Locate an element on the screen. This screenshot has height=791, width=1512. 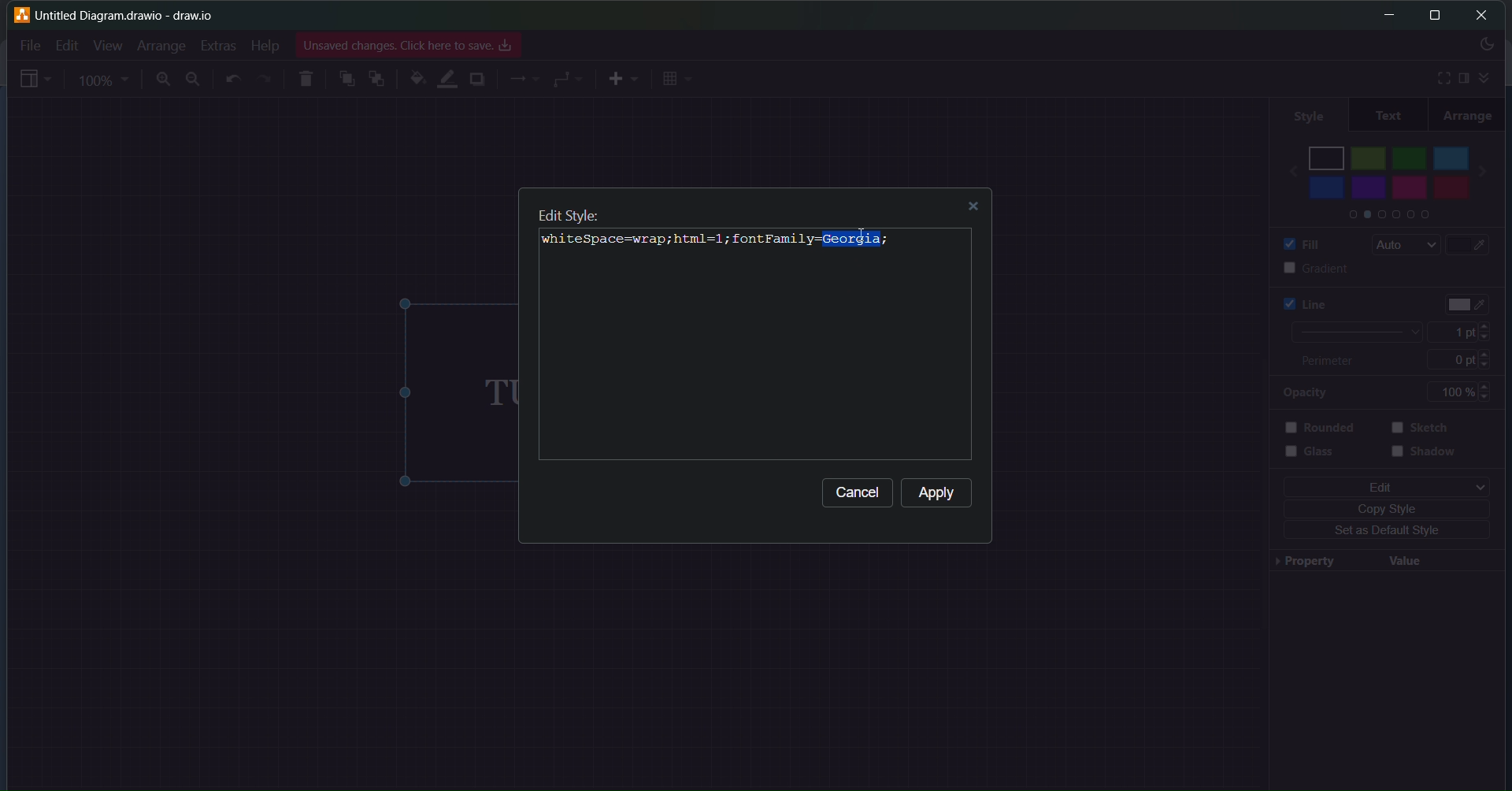
to back is located at coordinates (377, 80).